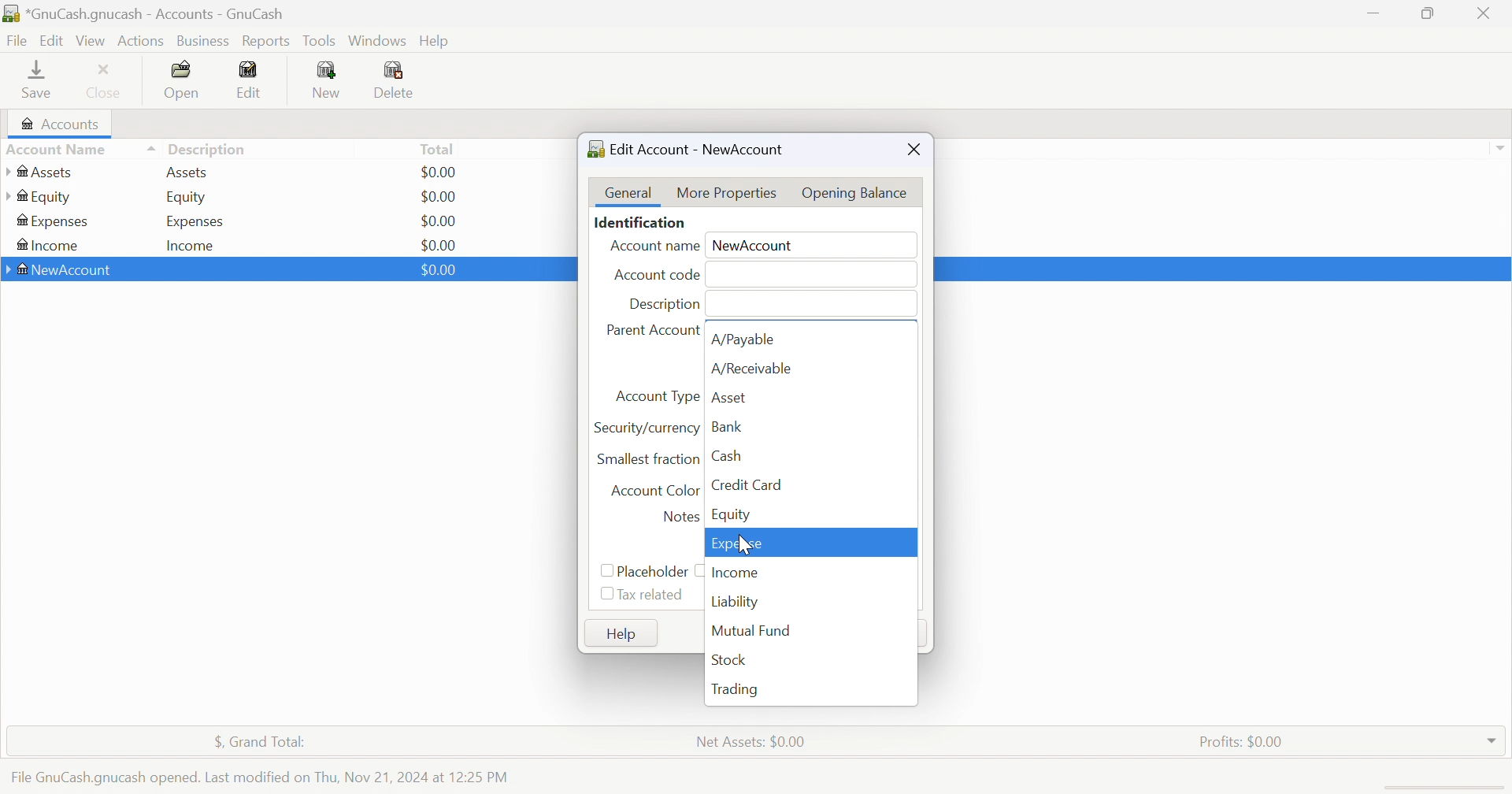 This screenshot has height=794, width=1512. Describe the element at coordinates (1499, 148) in the screenshot. I see `Drop Down` at that location.